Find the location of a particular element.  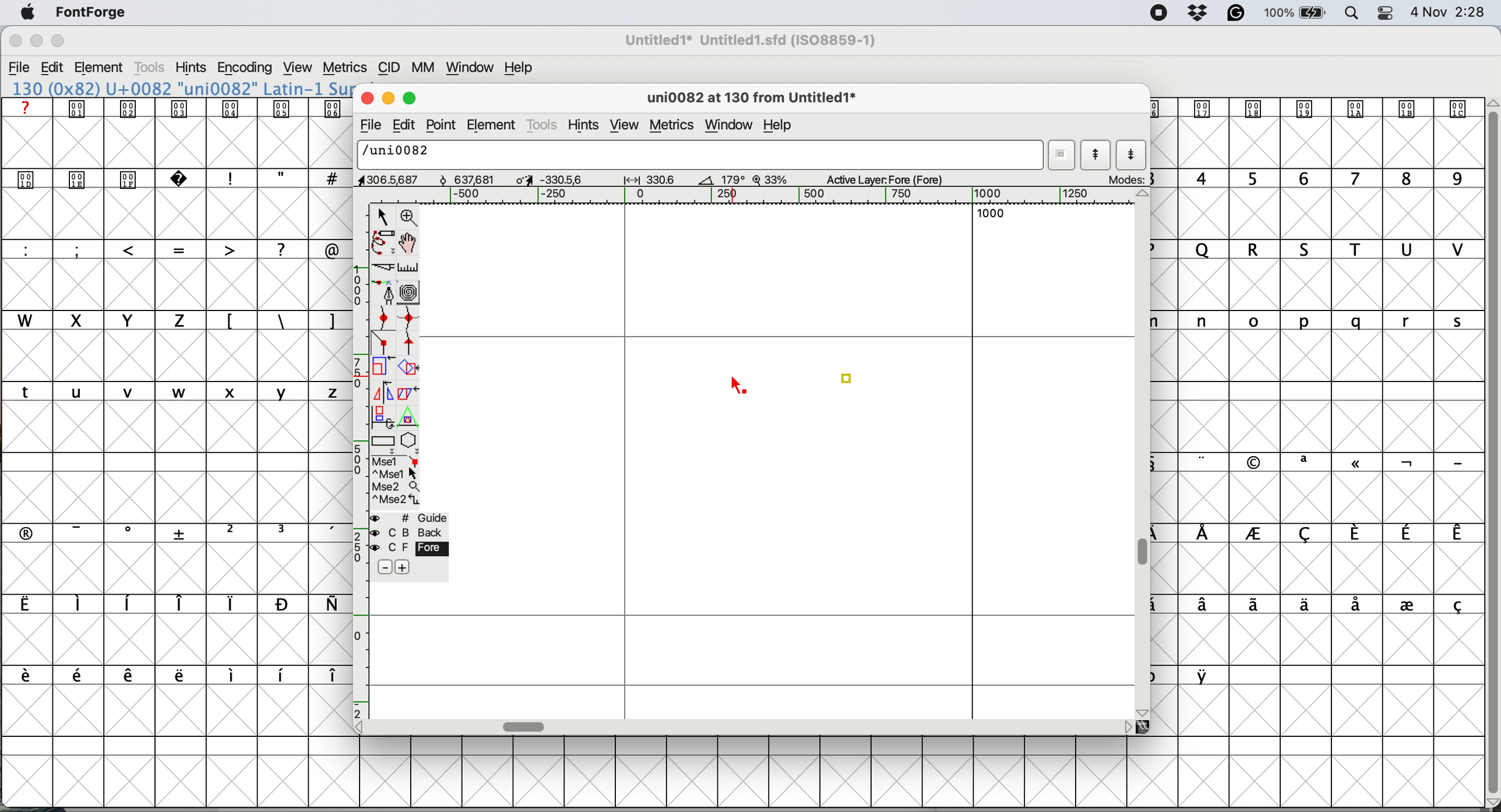

fore is located at coordinates (409, 548).